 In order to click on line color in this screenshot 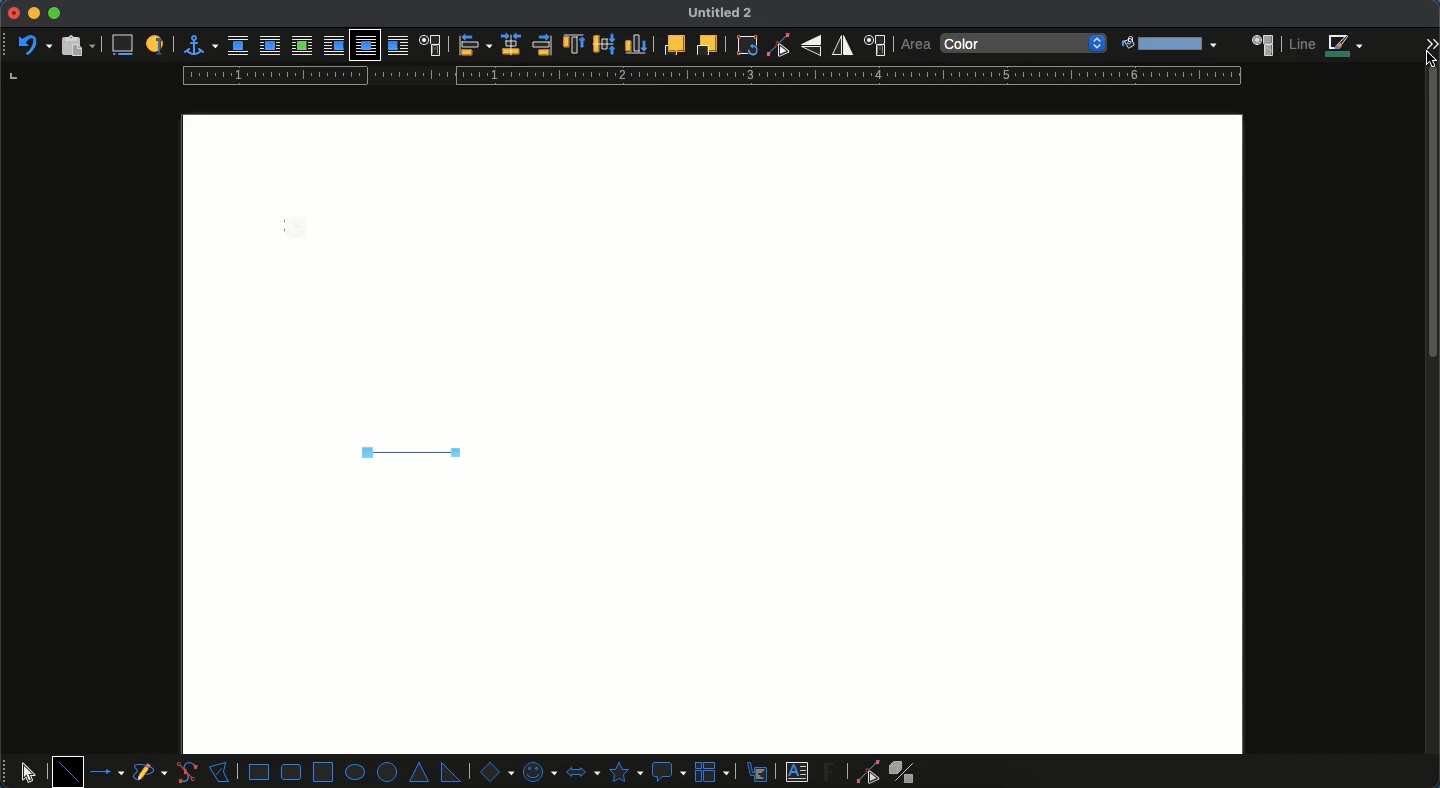, I will do `click(1327, 45)`.